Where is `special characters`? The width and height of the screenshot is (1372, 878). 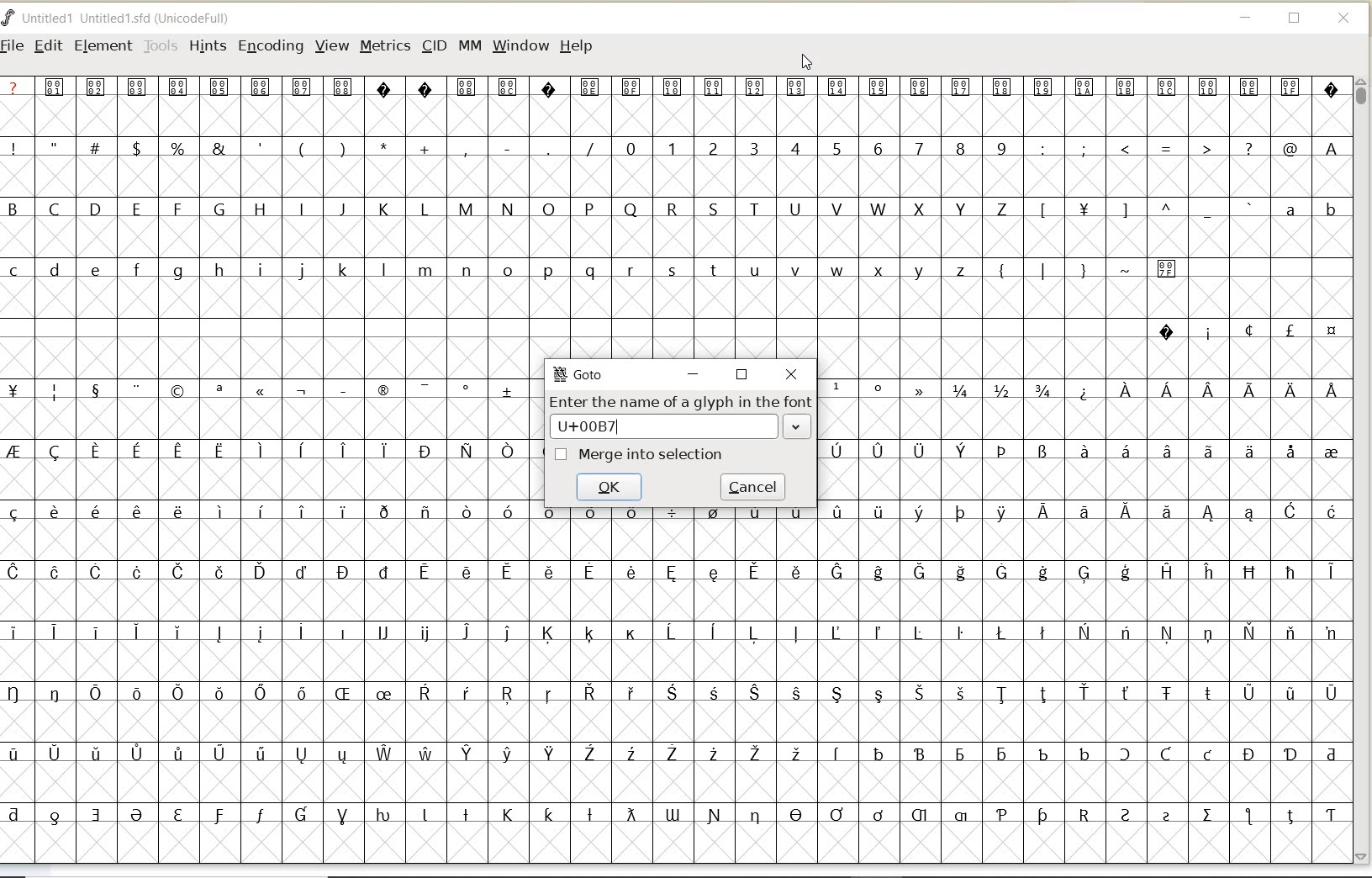
special characters is located at coordinates (272, 436).